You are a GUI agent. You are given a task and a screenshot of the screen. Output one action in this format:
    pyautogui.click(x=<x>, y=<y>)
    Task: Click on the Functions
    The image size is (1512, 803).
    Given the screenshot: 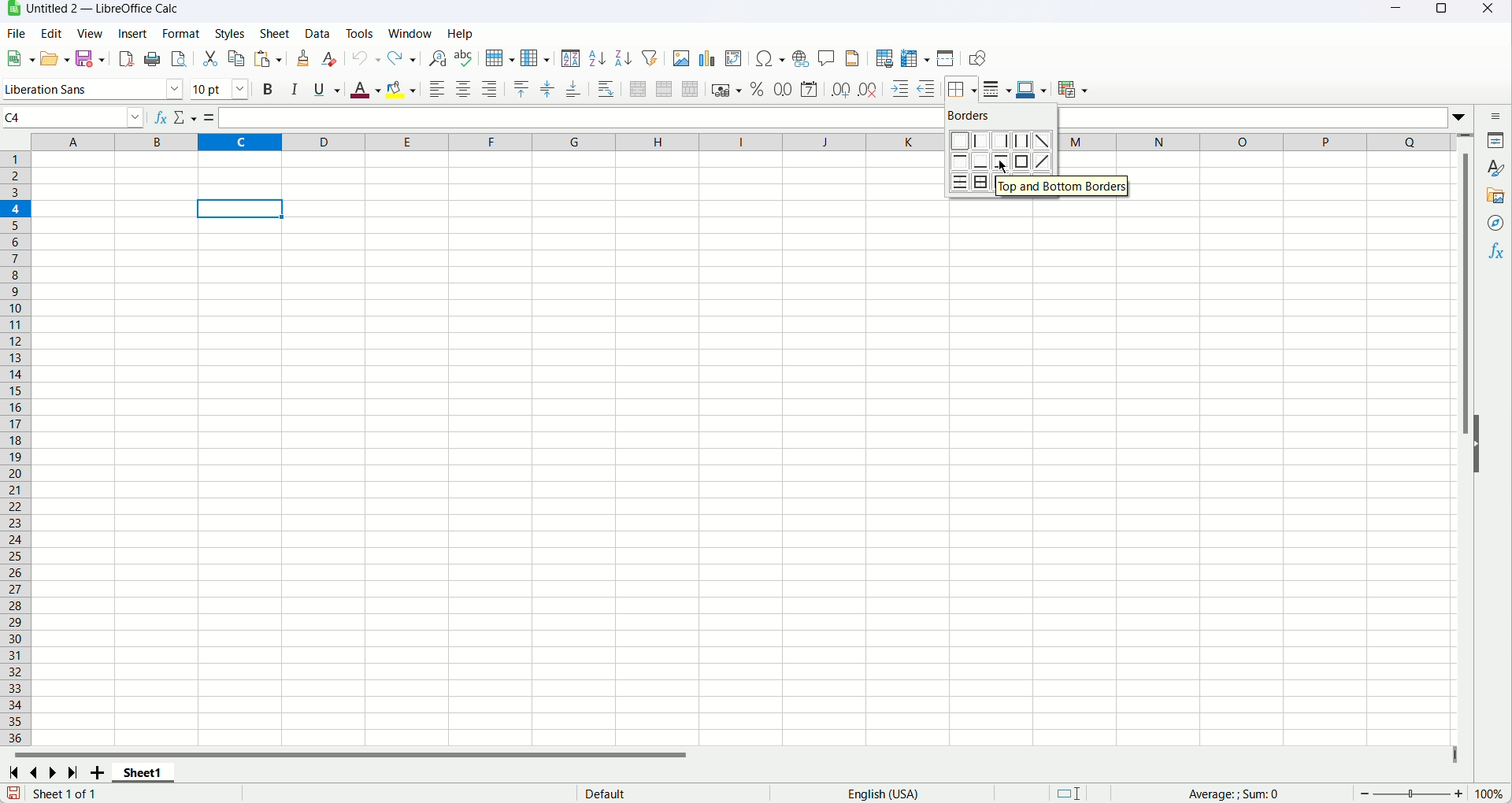 What is the action you would take?
    pyautogui.click(x=1498, y=250)
    